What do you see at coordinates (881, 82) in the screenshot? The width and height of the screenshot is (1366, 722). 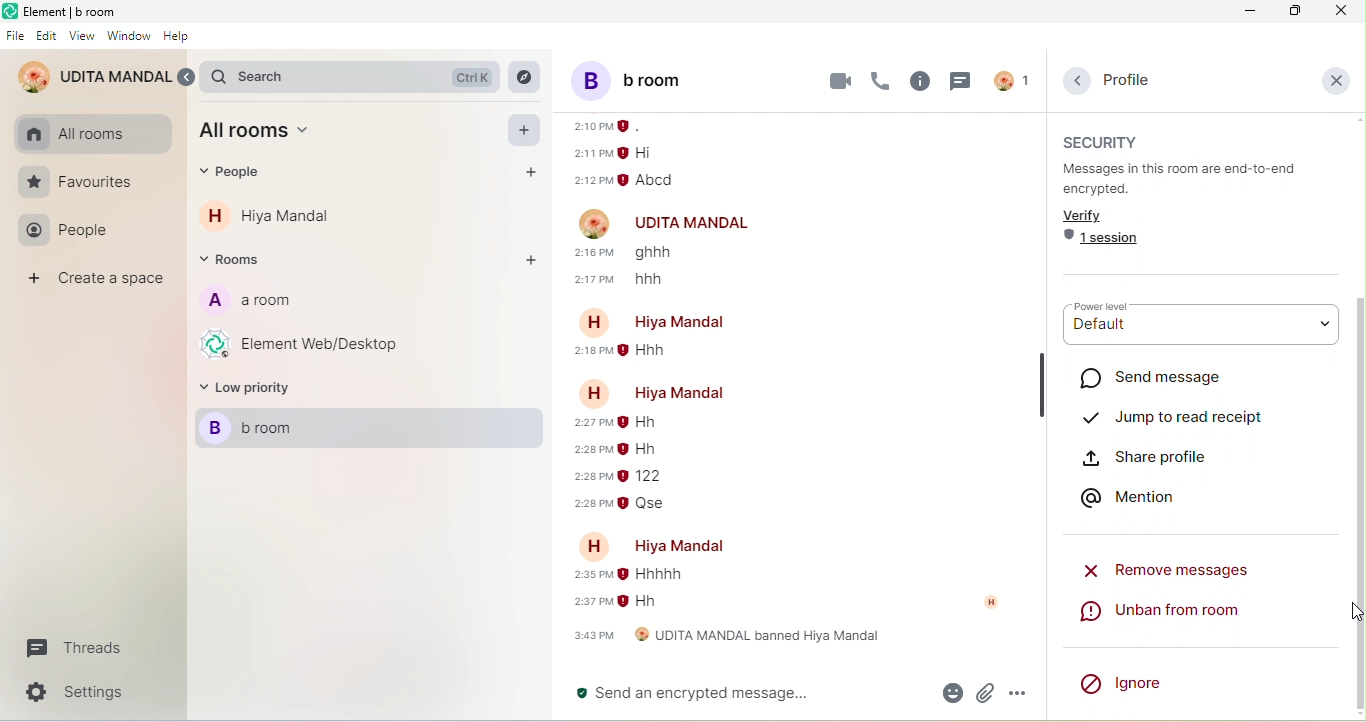 I see `voice call` at bounding box center [881, 82].